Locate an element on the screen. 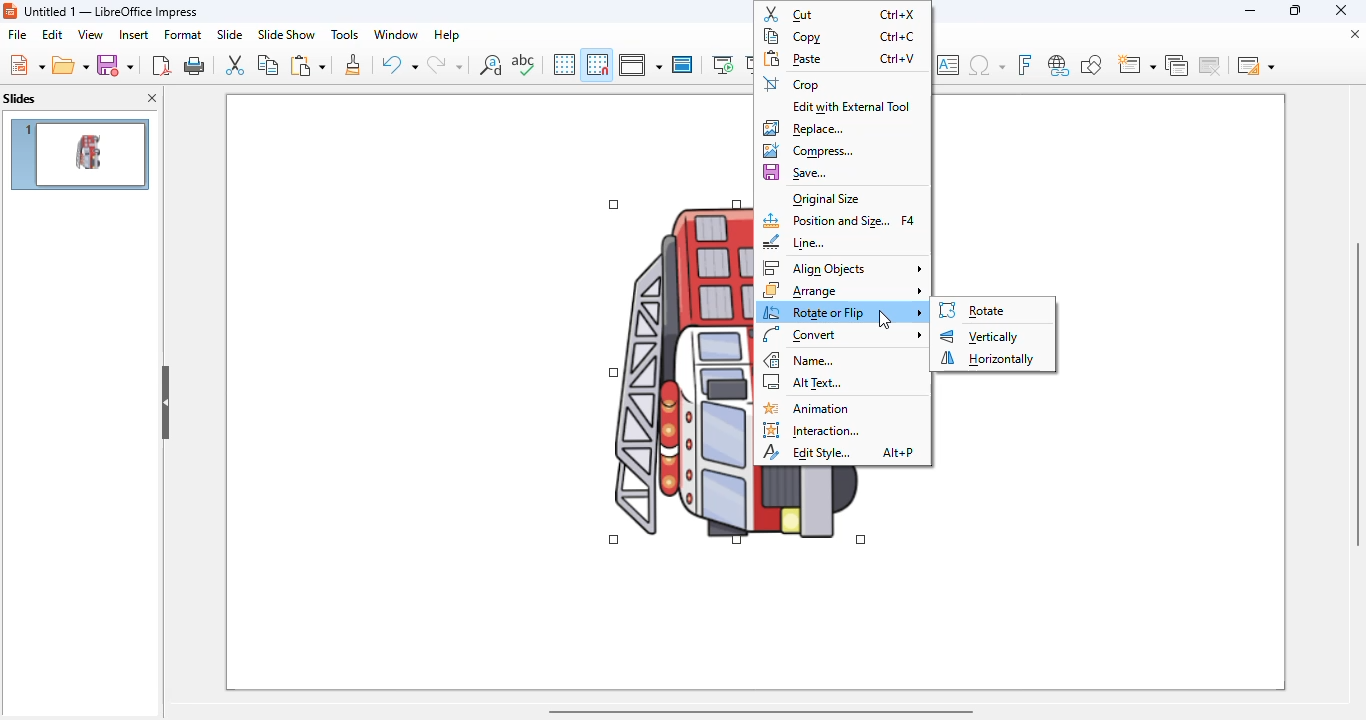 The width and height of the screenshot is (1366, 720). name is located at coordinates (801, 359).